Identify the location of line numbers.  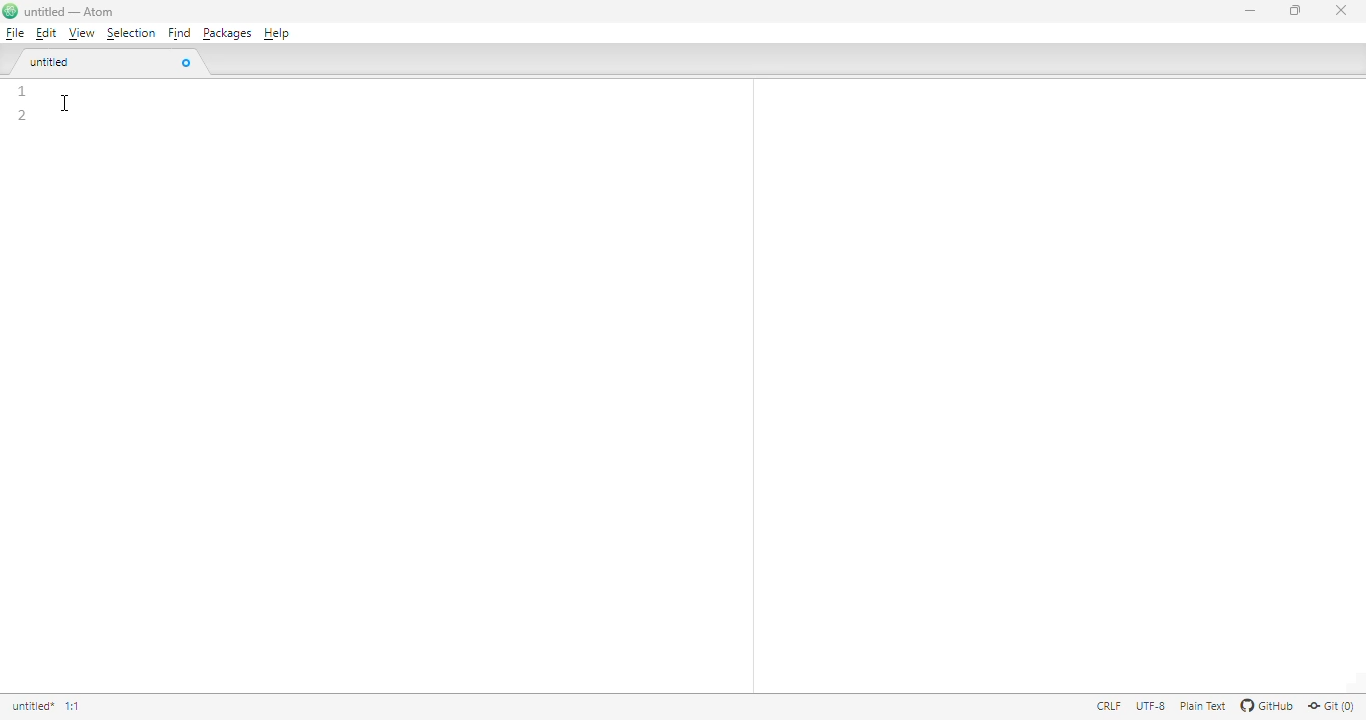
(23, 103).